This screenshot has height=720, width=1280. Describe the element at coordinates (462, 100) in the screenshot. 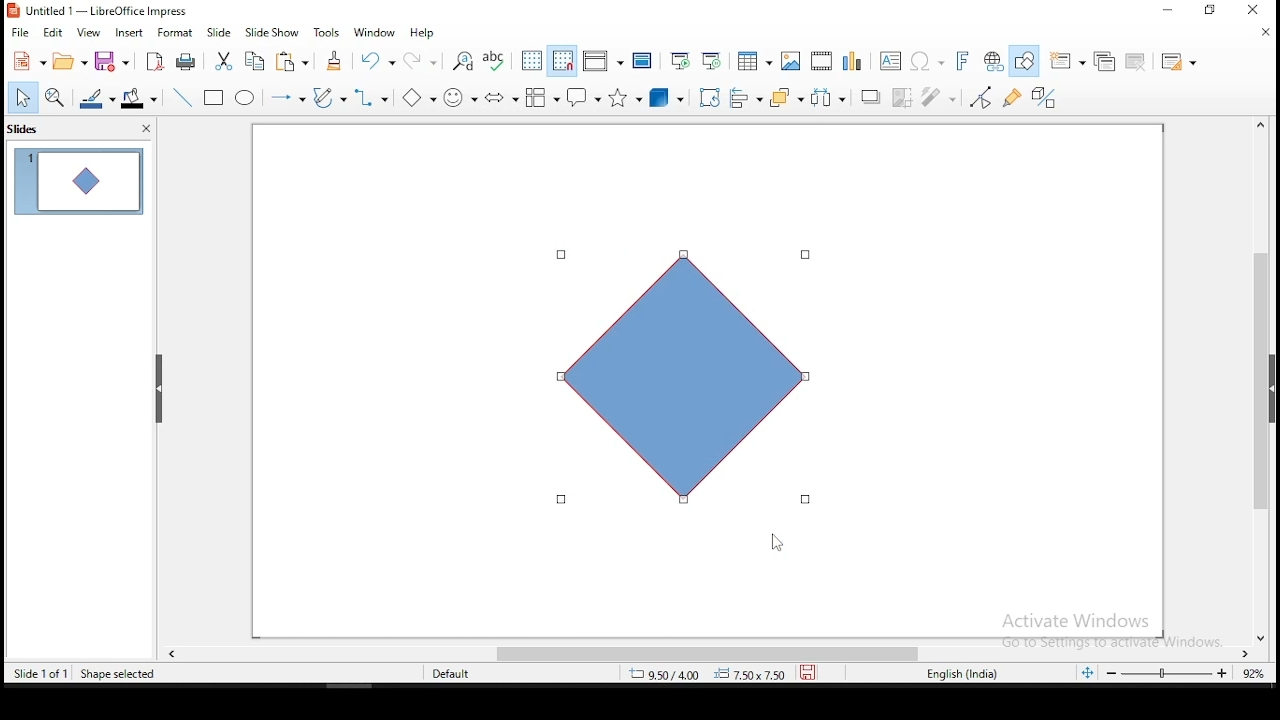

I see `symbol shapes` at that location.